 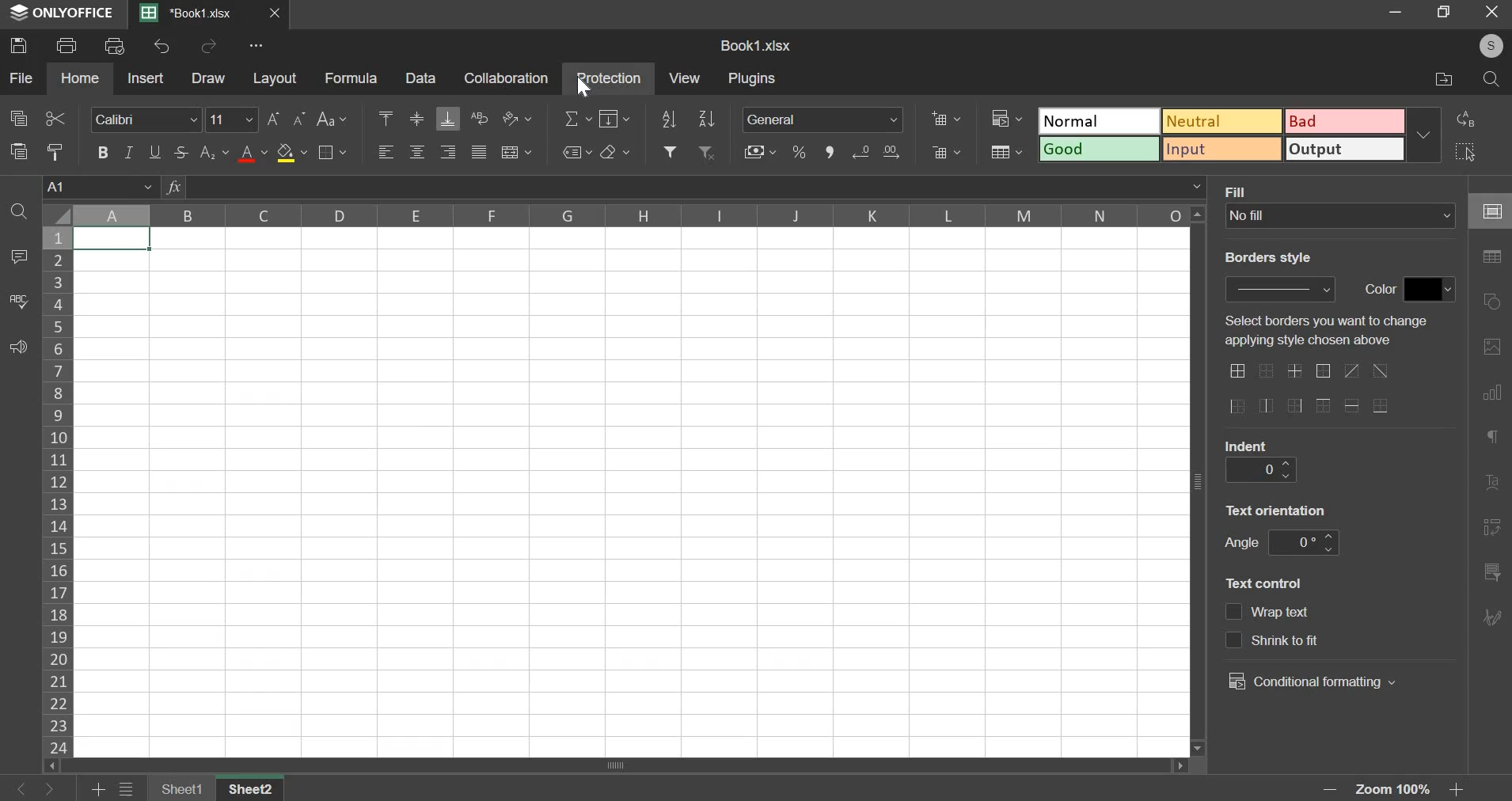 What do you see at coordinates (48, 790) in the screenshot?
I see `right` at bounding box center [48, 790].